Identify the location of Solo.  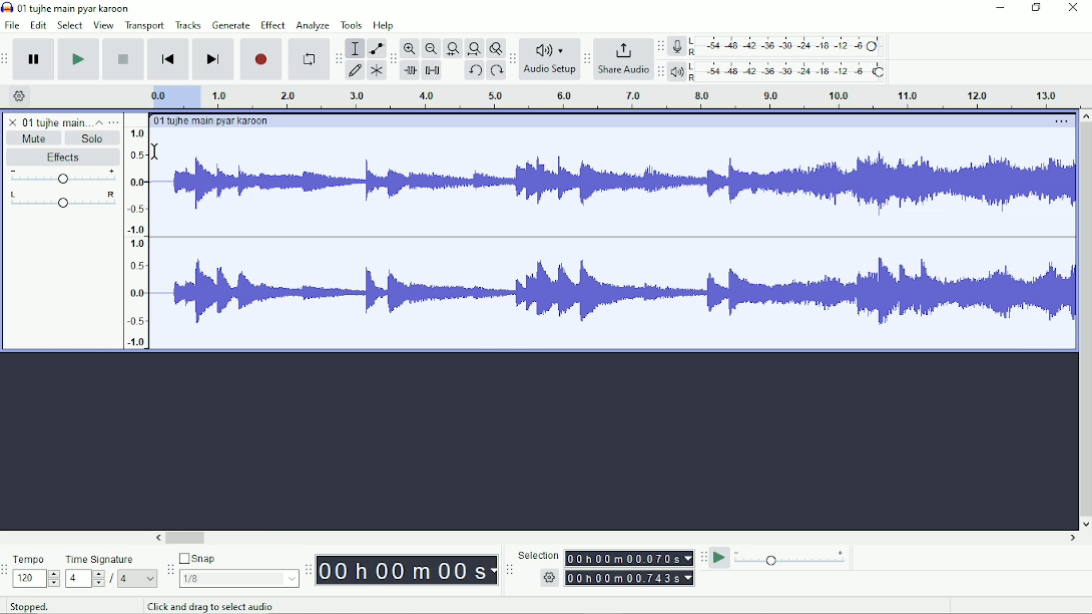
(93, 138).